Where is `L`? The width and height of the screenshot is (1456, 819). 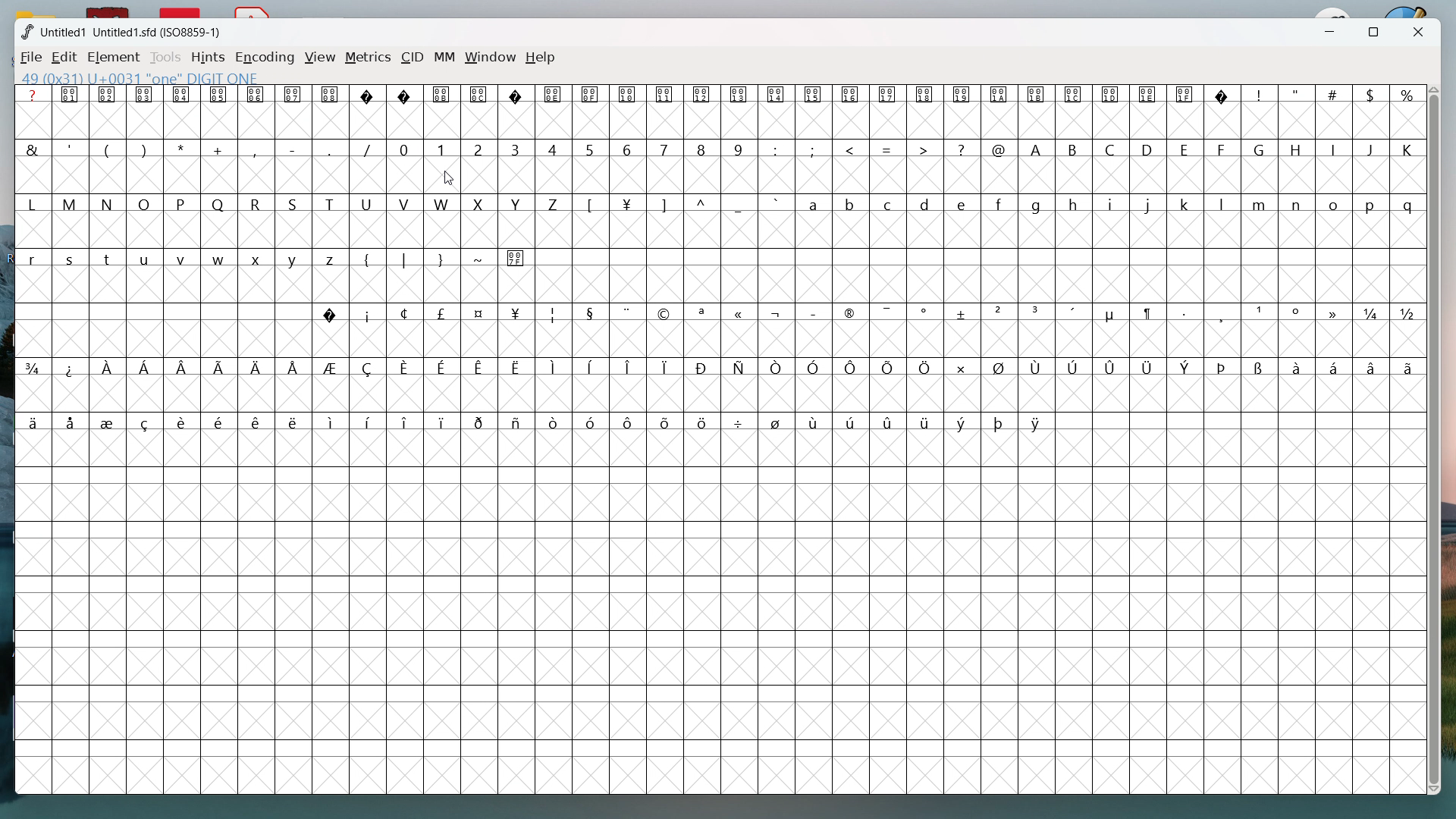 L is located at coordinates (32, 203).